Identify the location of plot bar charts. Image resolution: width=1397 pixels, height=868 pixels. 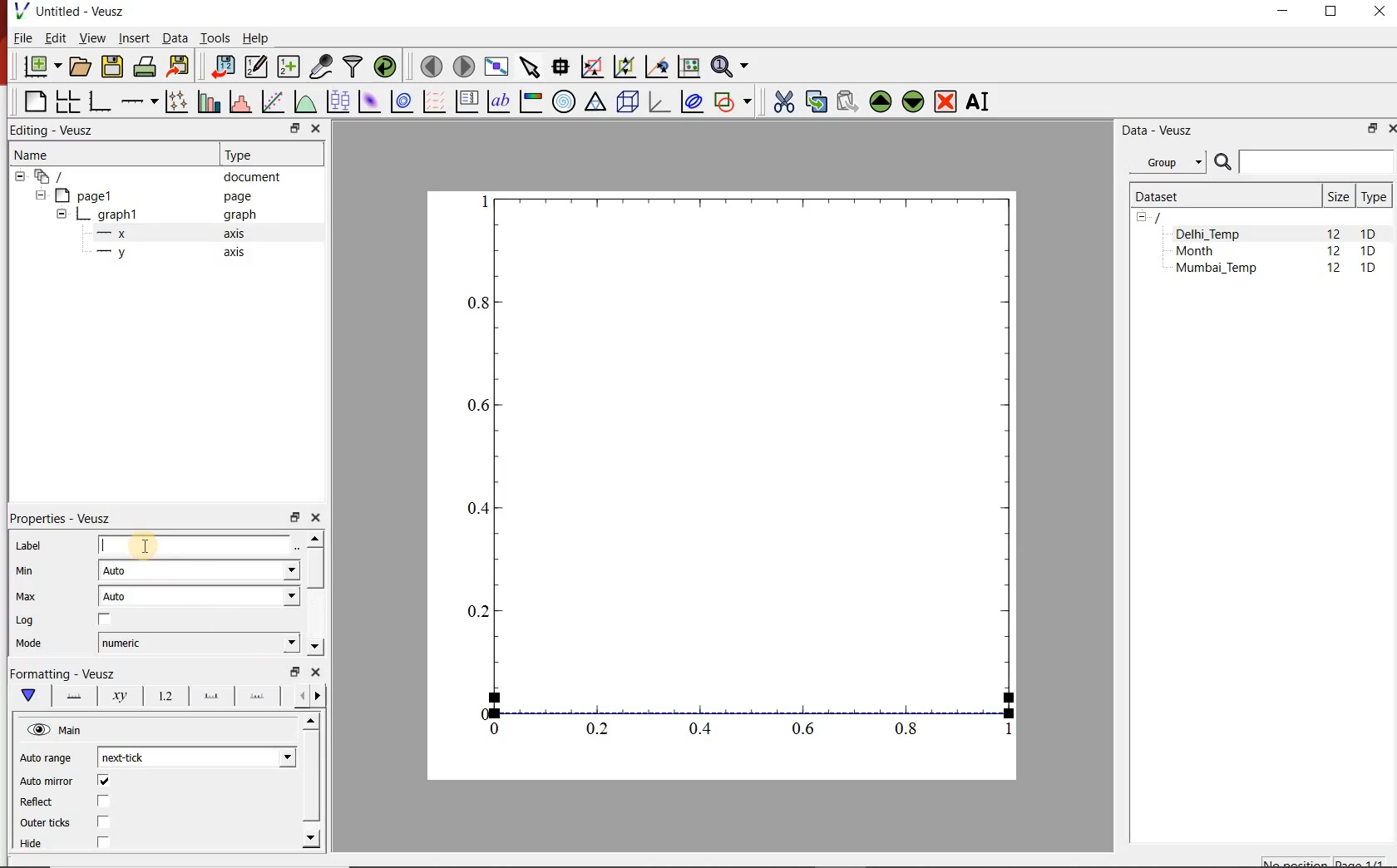
(206, 102).